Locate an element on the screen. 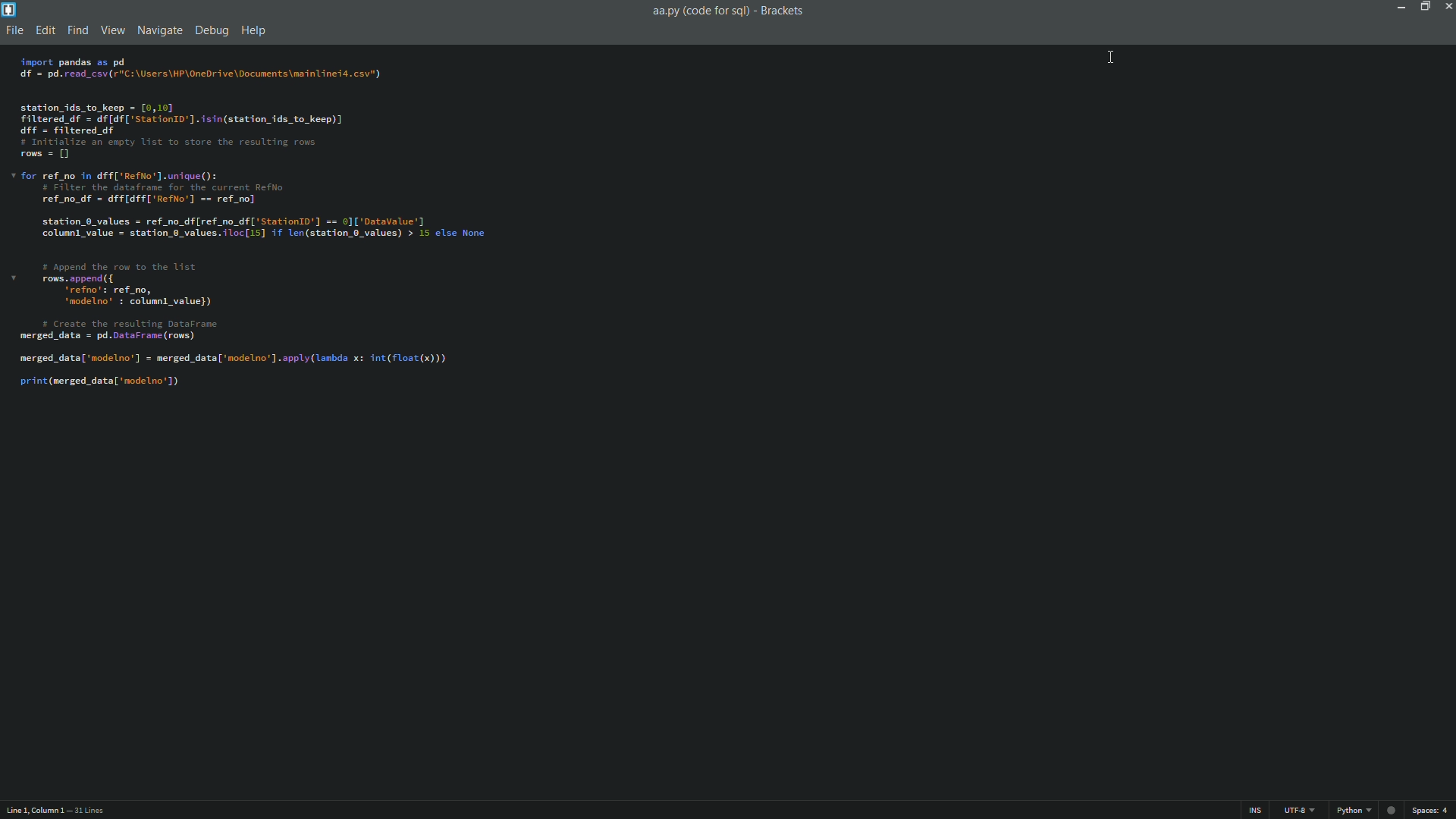 The height and width of the screenshot is (819, 1456). Maximize is located at coordinates (1425, 22).